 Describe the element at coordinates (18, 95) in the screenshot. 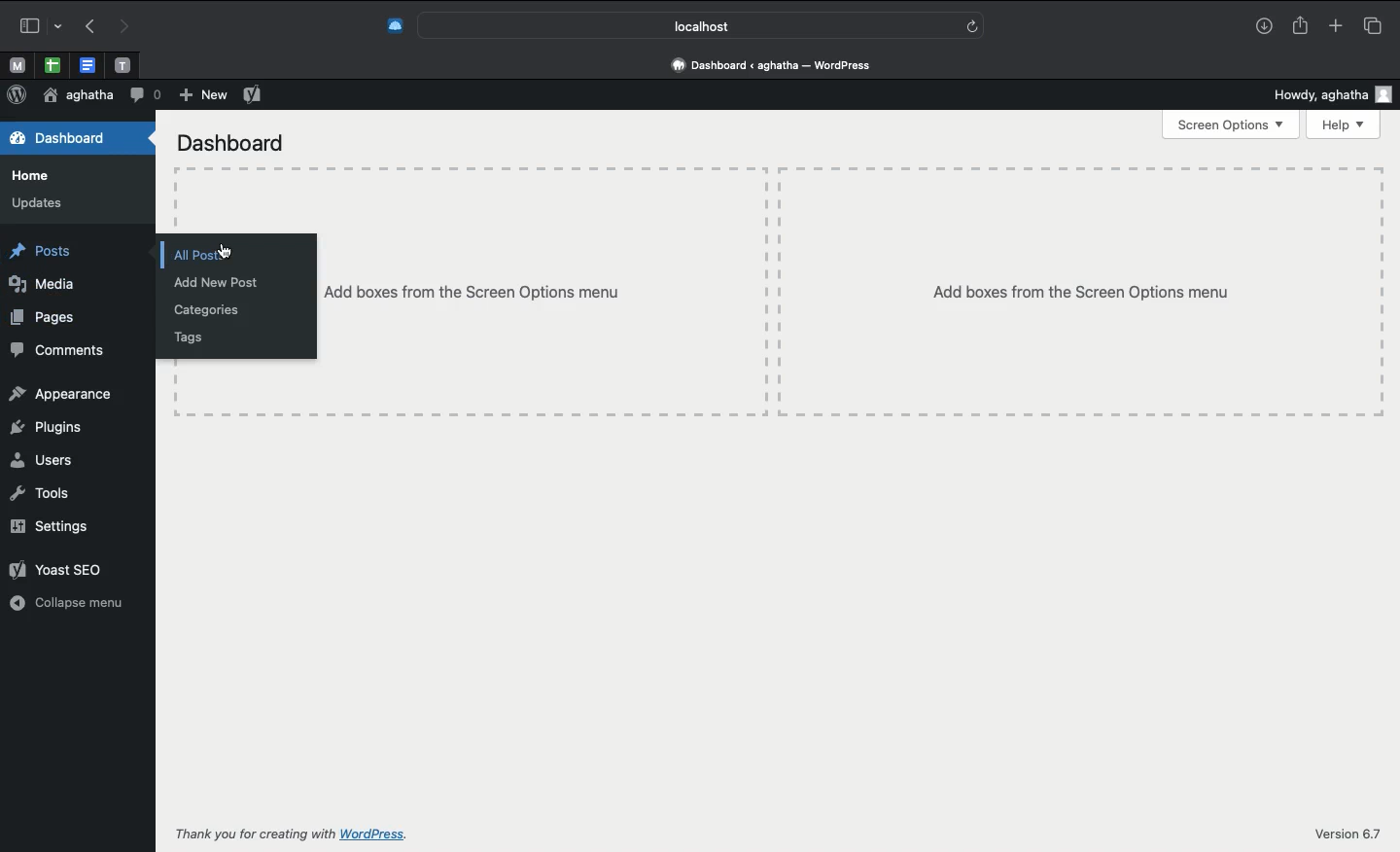

I see `Wordpress` at that location.